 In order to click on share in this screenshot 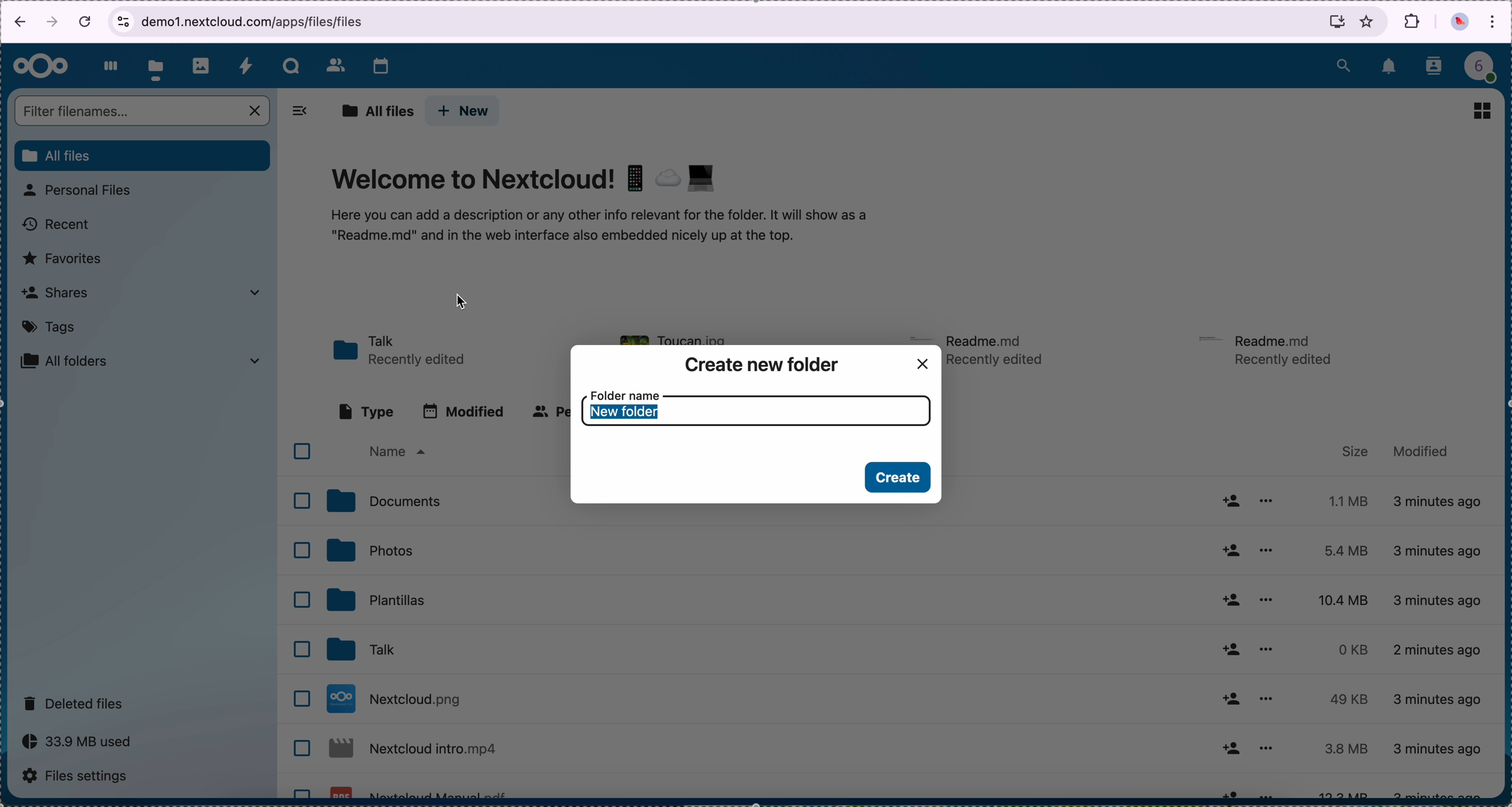, I will do `click(1229, 748)`.